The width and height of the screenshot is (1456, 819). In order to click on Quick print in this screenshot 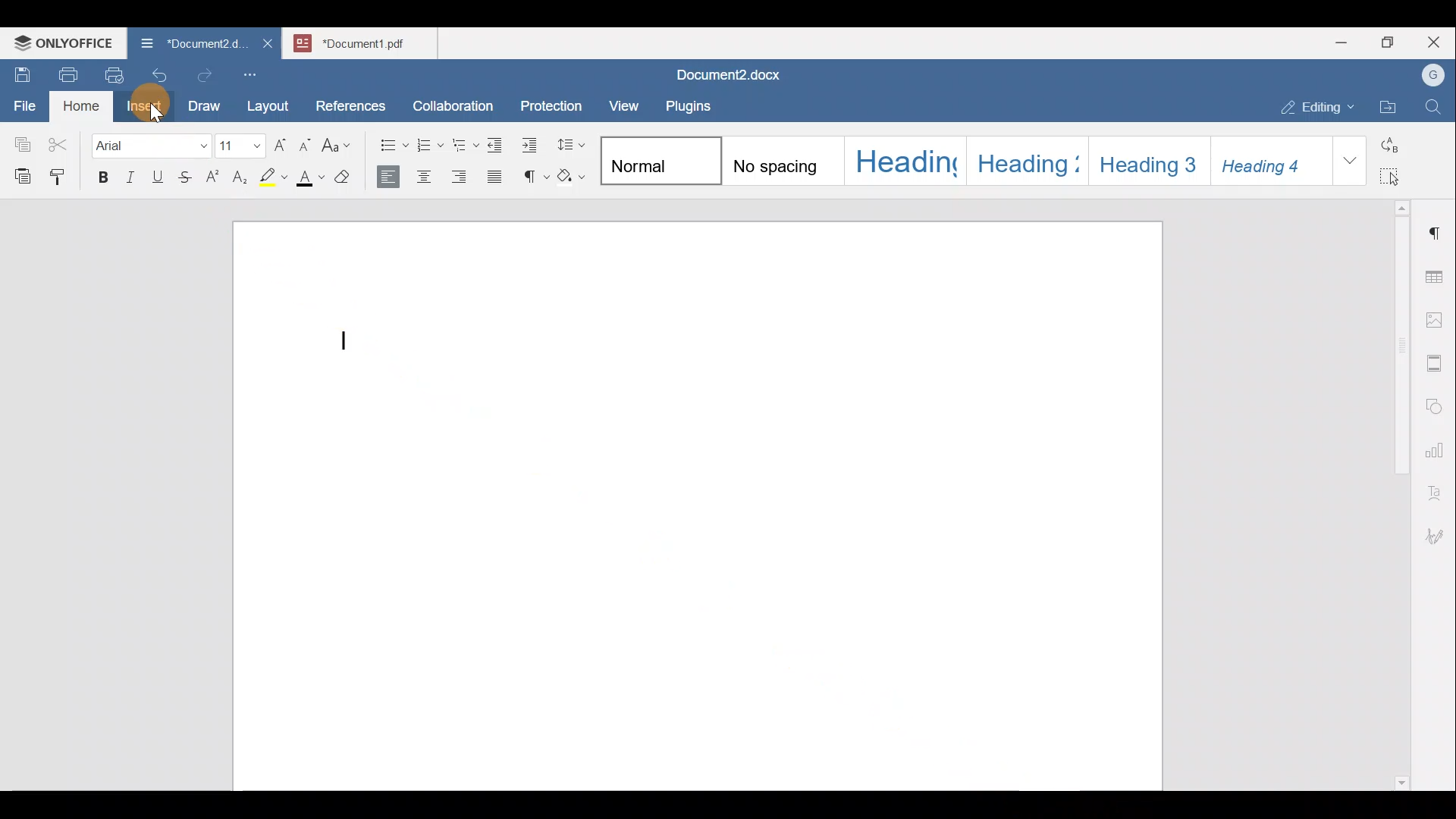, I will do `click(108, 73)`.